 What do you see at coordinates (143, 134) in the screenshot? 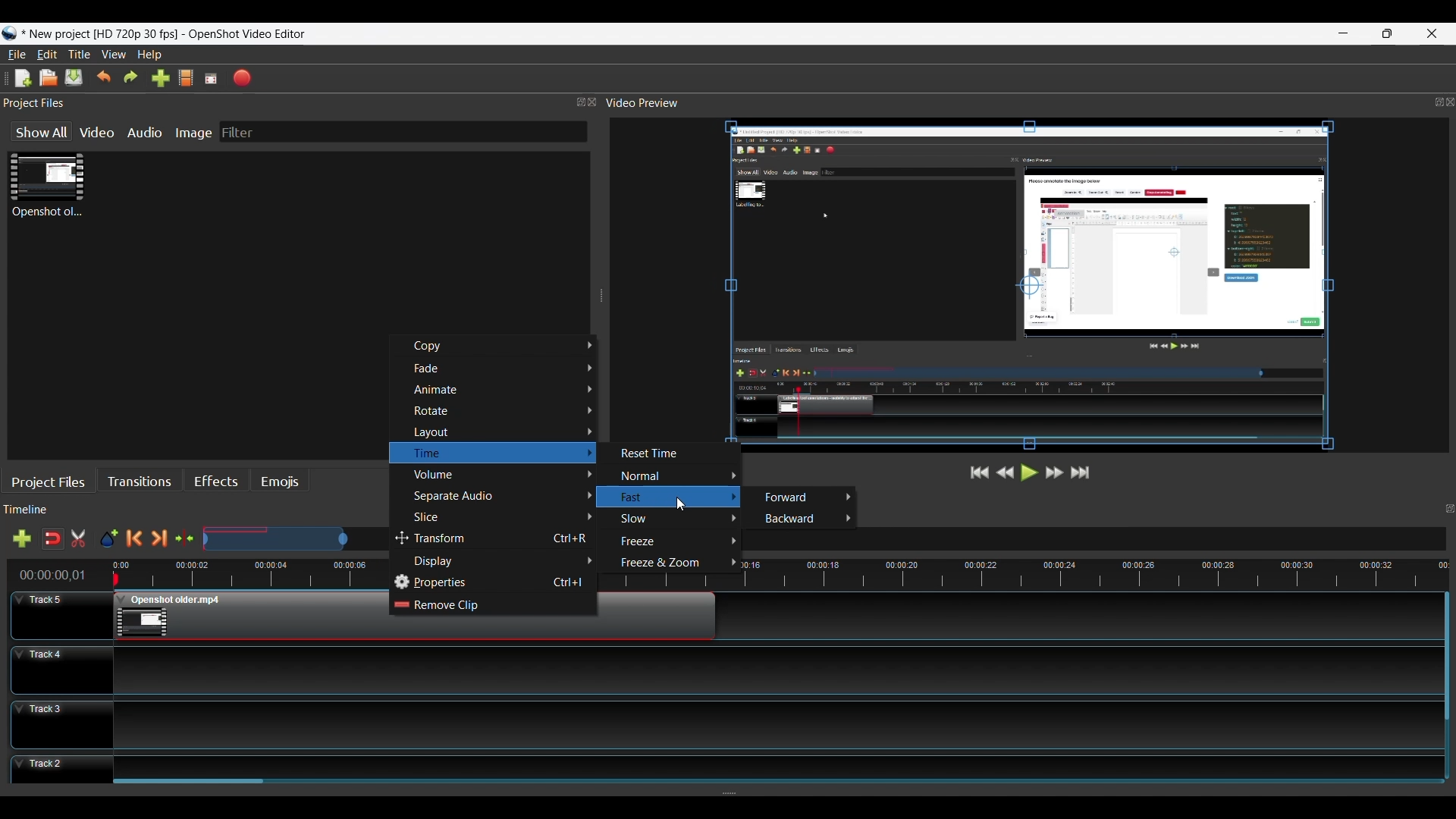
I see `Audio` at bounding box center [143, 134].